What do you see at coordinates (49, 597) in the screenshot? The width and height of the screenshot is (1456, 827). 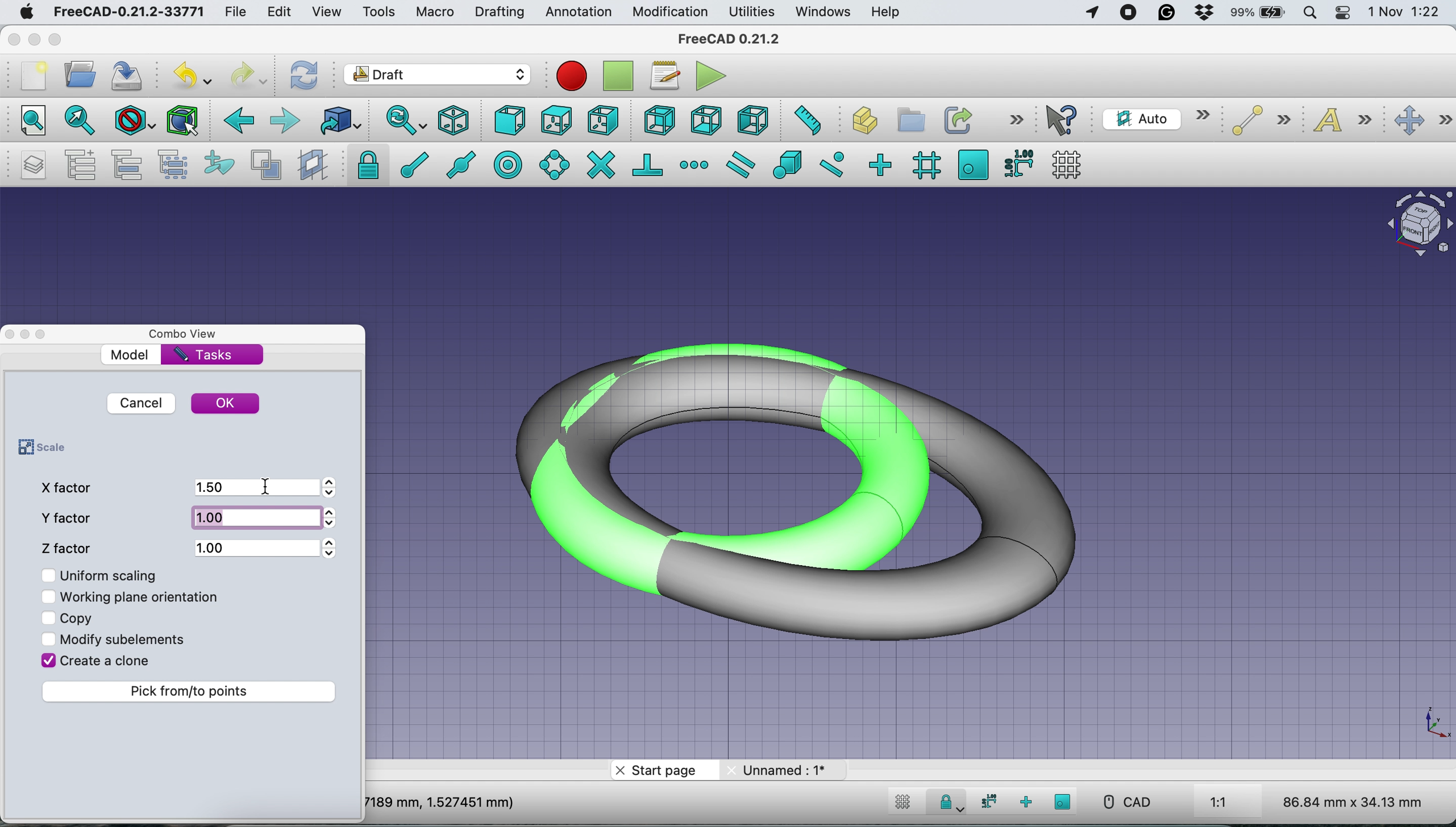 I see `Checkbox` at bounding box center [49, 597].